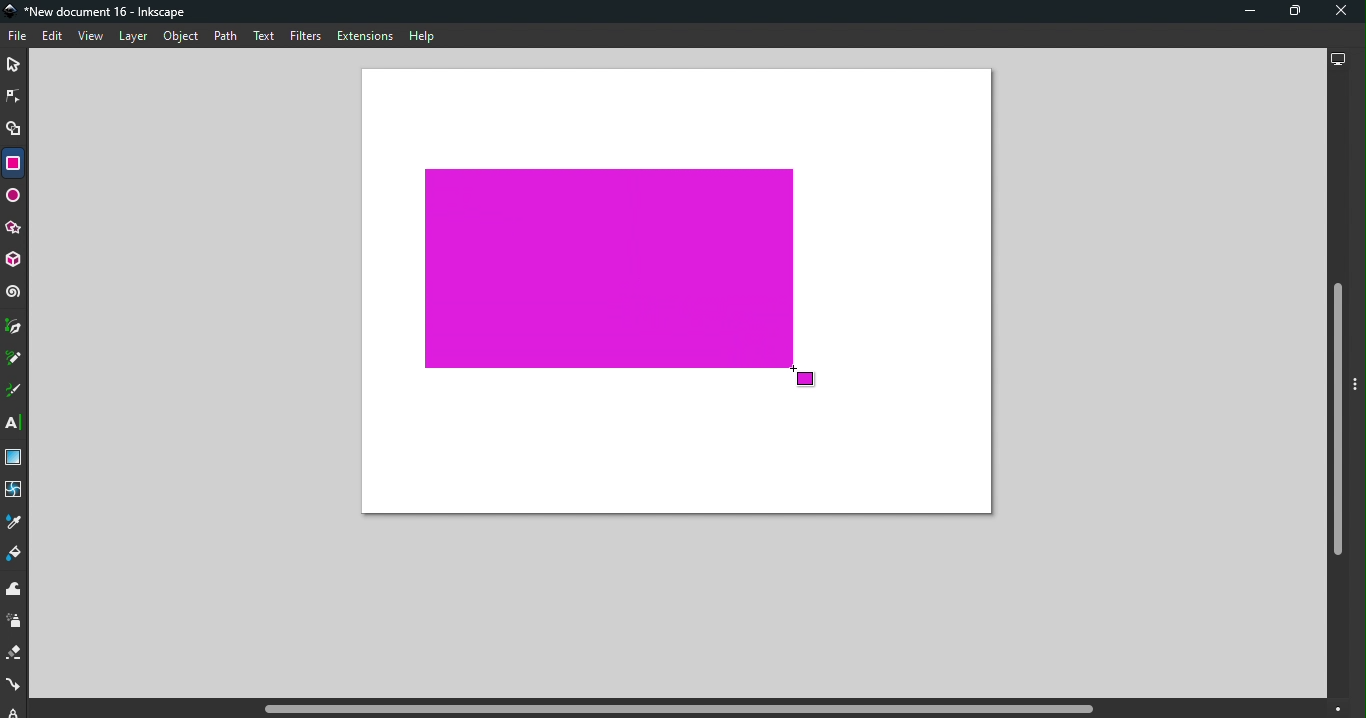  Describe the element at coordinates (17, 622) in the screenshot. I see `Spray tool` at that location.